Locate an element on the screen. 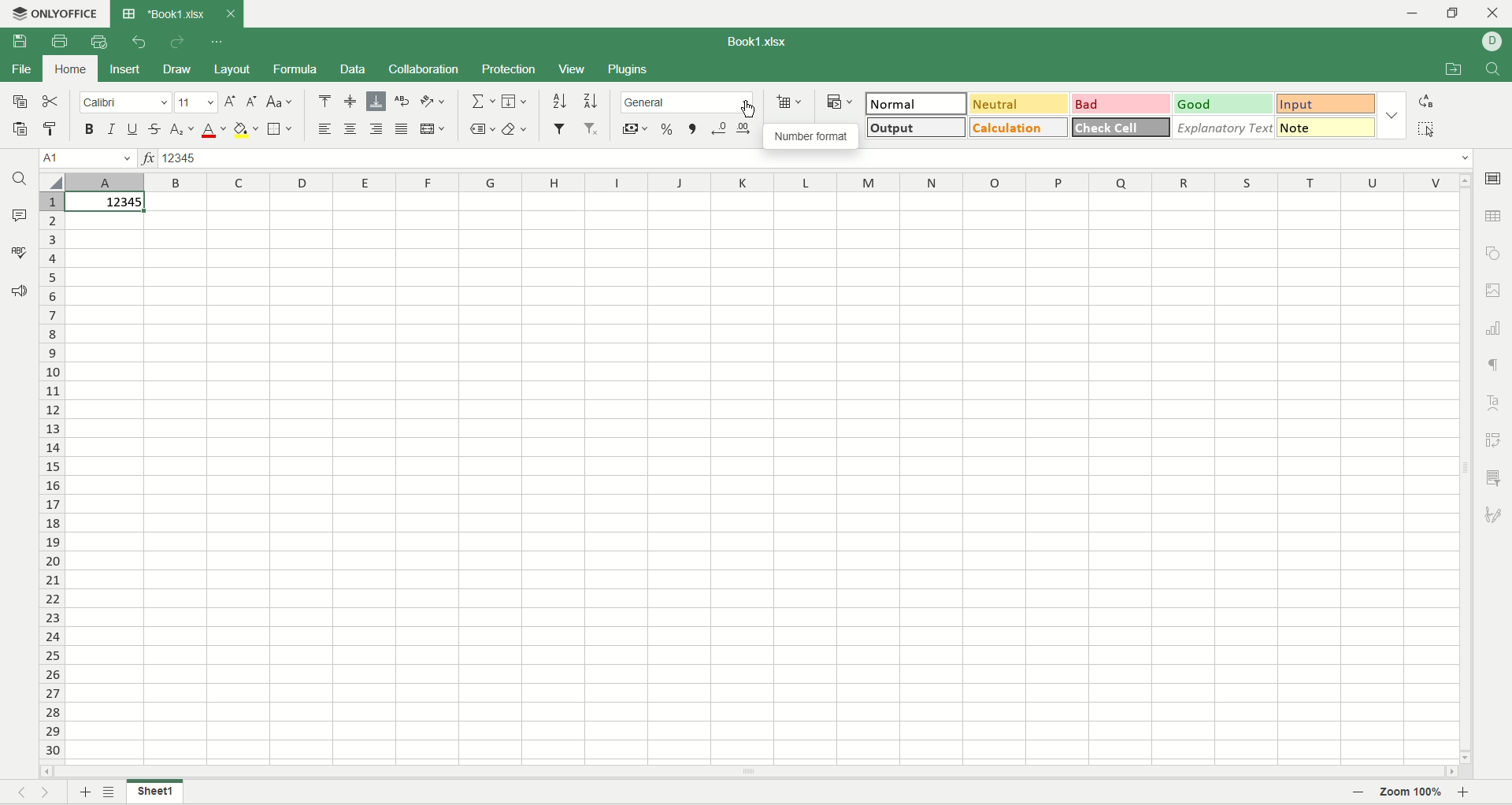 Image resolution: width=1512 pixels, height=805 pixels. maximize is located at coordinates (1456, 14).